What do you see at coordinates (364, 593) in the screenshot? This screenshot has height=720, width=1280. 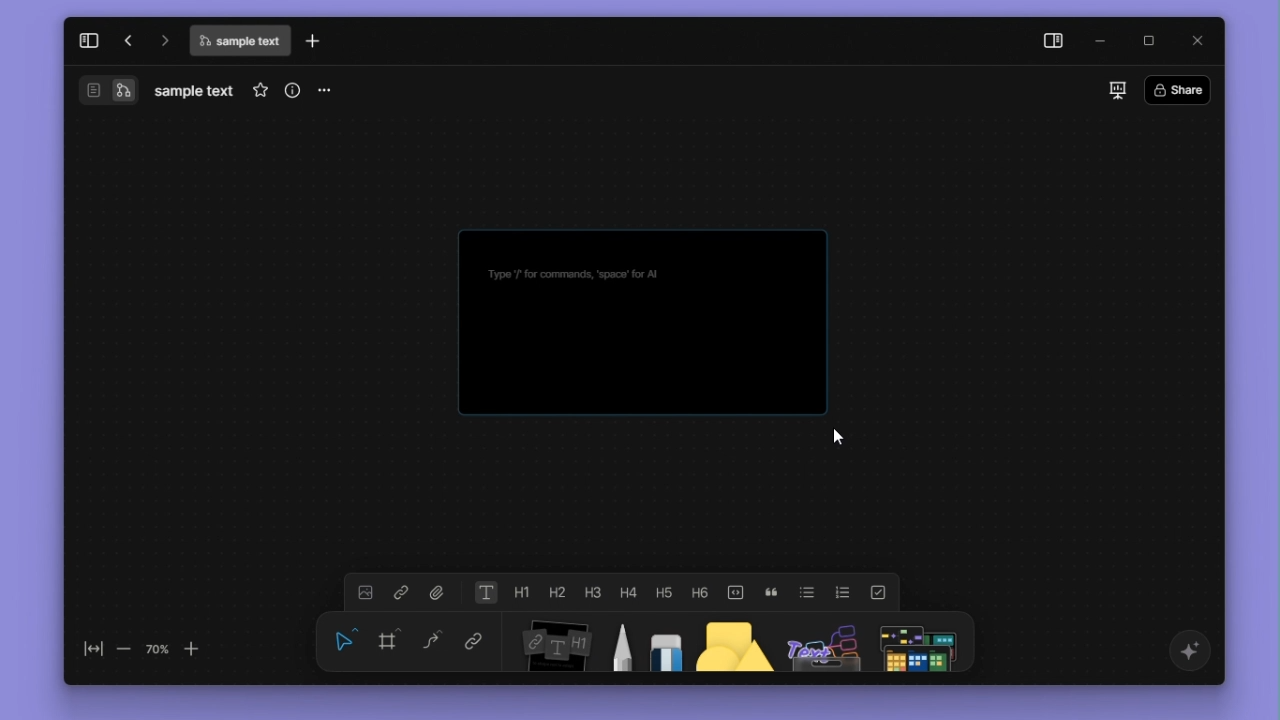 I see `image` at bounding box center [364, 593].